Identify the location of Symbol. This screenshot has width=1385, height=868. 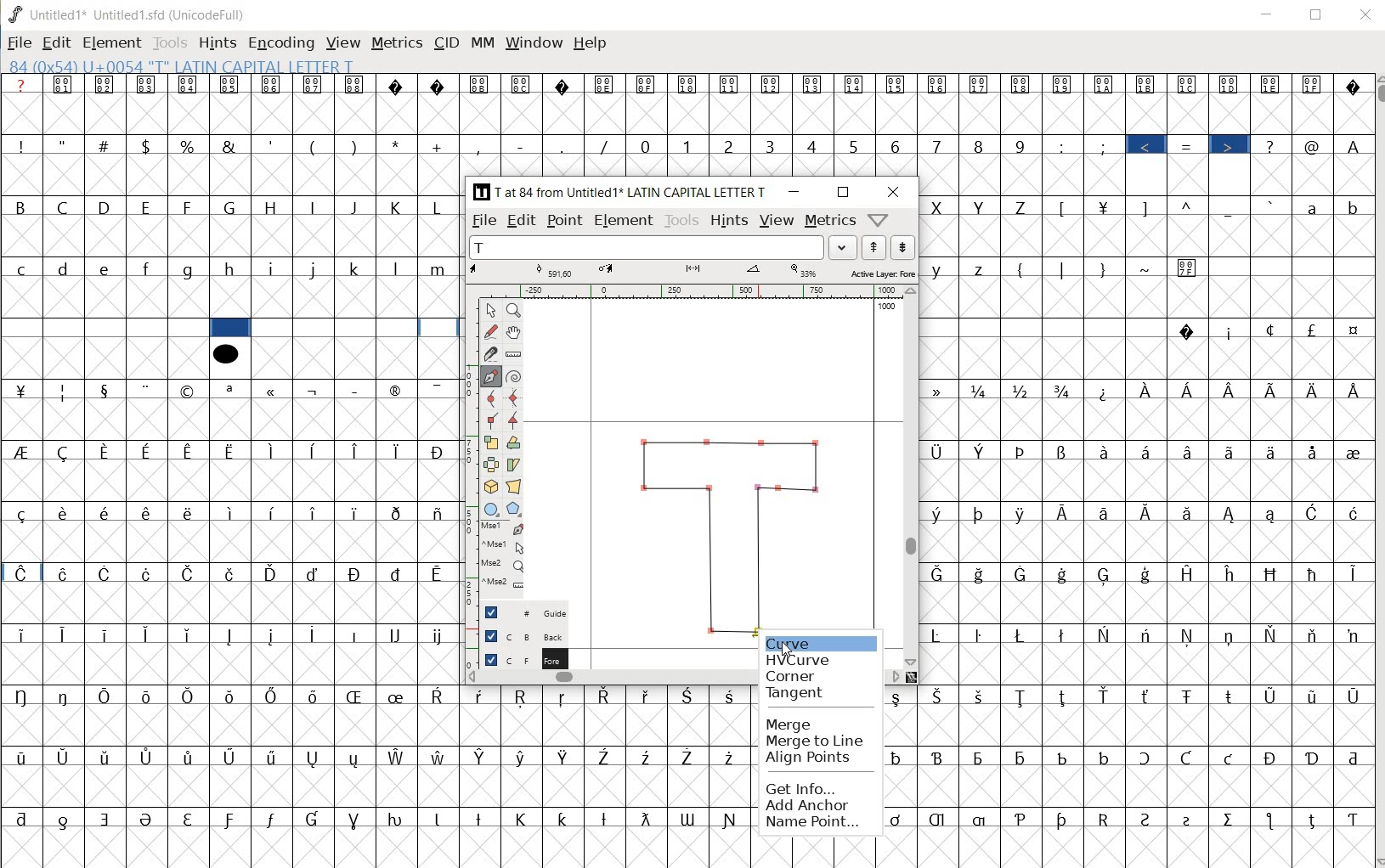
(980, 635).